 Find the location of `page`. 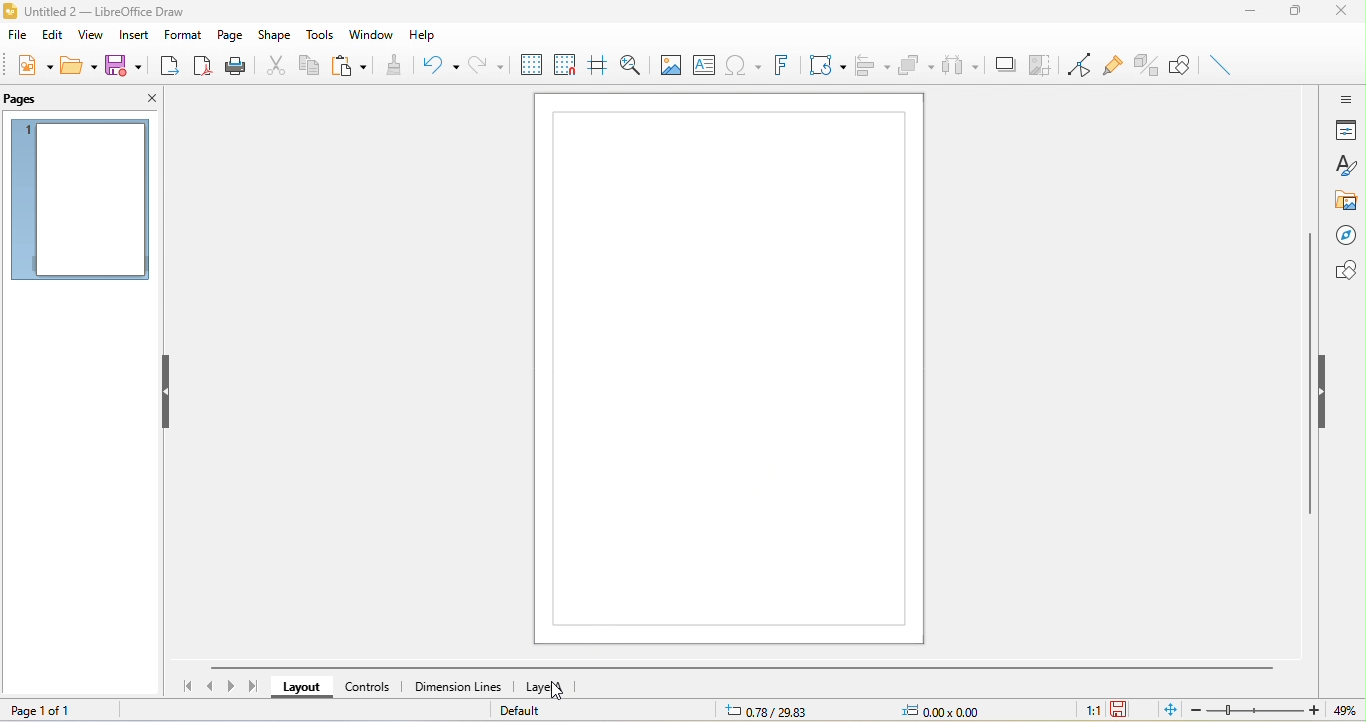

page is located at coordinates (229, 33).